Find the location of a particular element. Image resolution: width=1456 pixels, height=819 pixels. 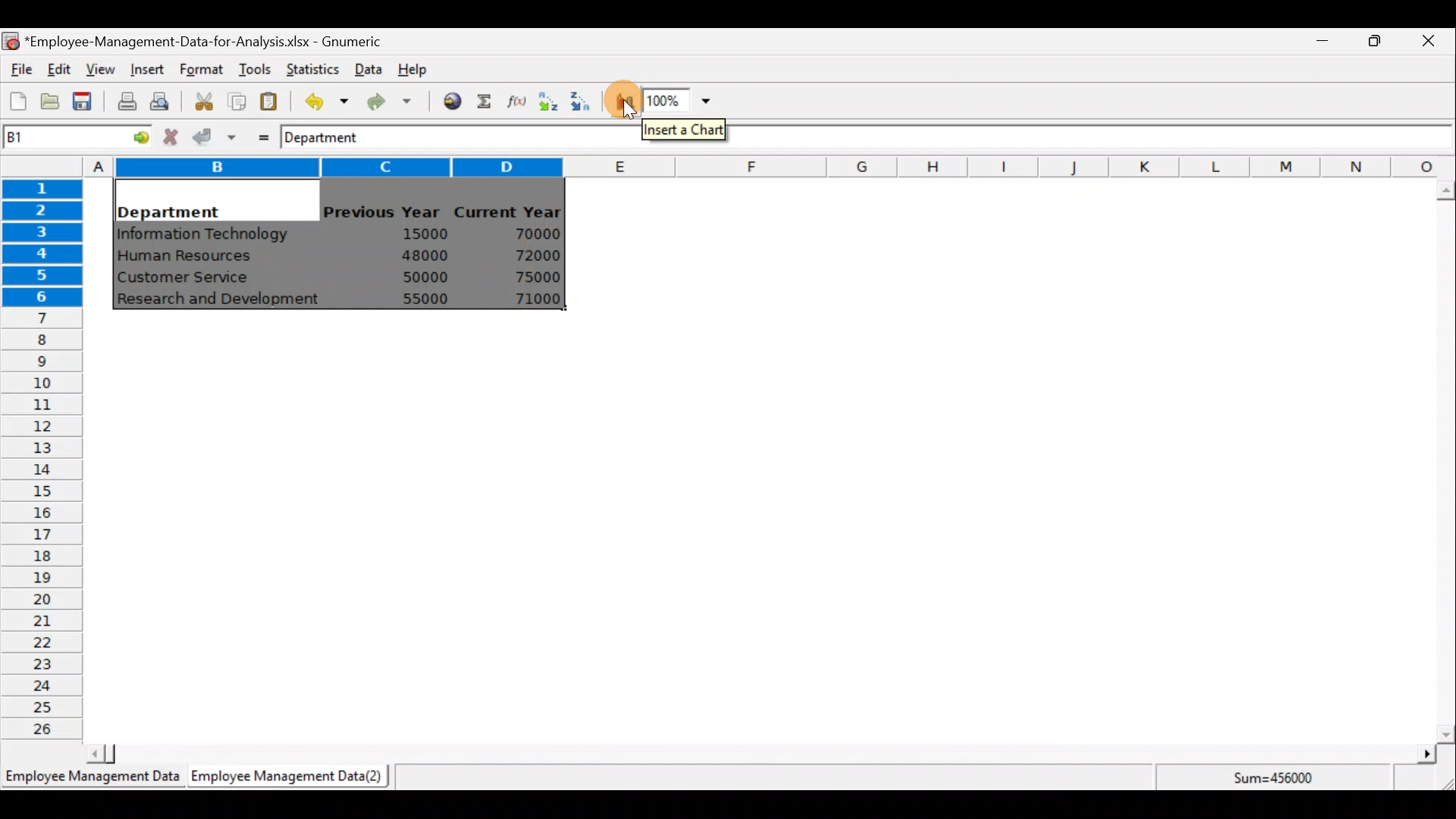

Print preview is located at coordinates (159, 99).